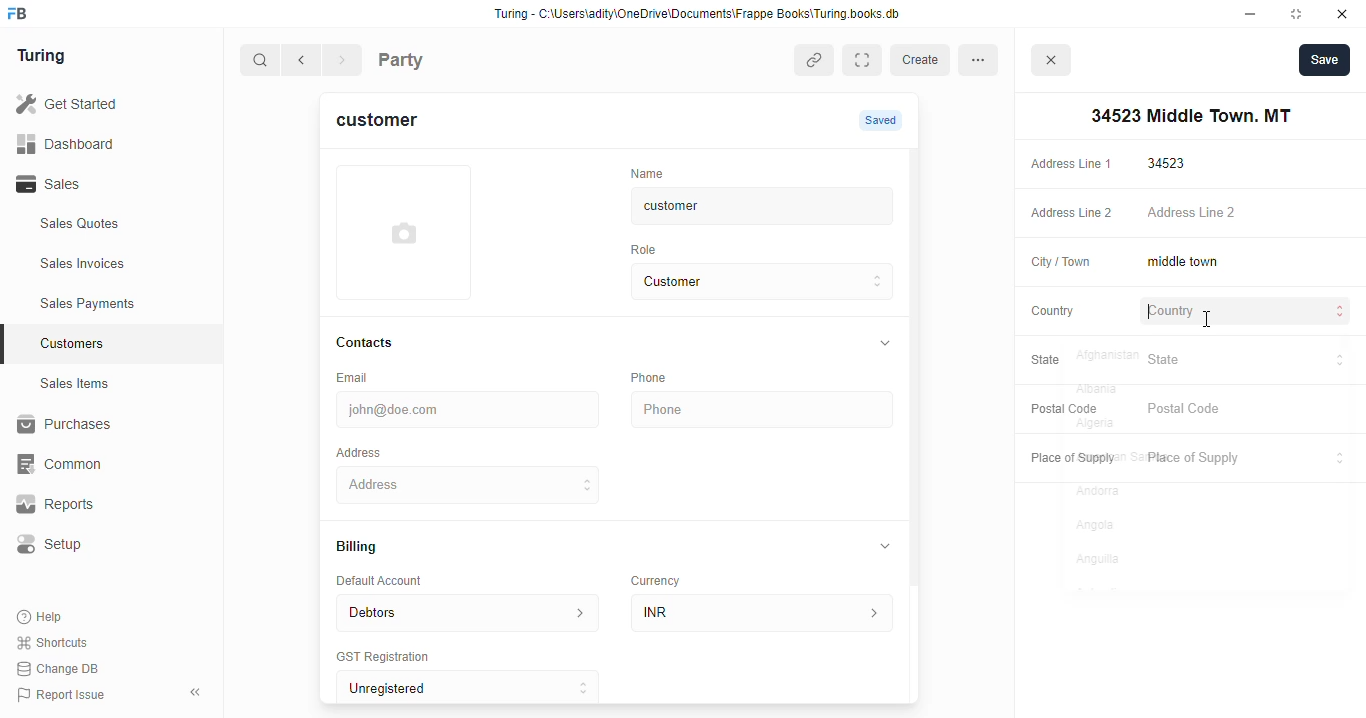 This screenshot has height=718, width=1366. I want to click on Setup, so click(101, 544).